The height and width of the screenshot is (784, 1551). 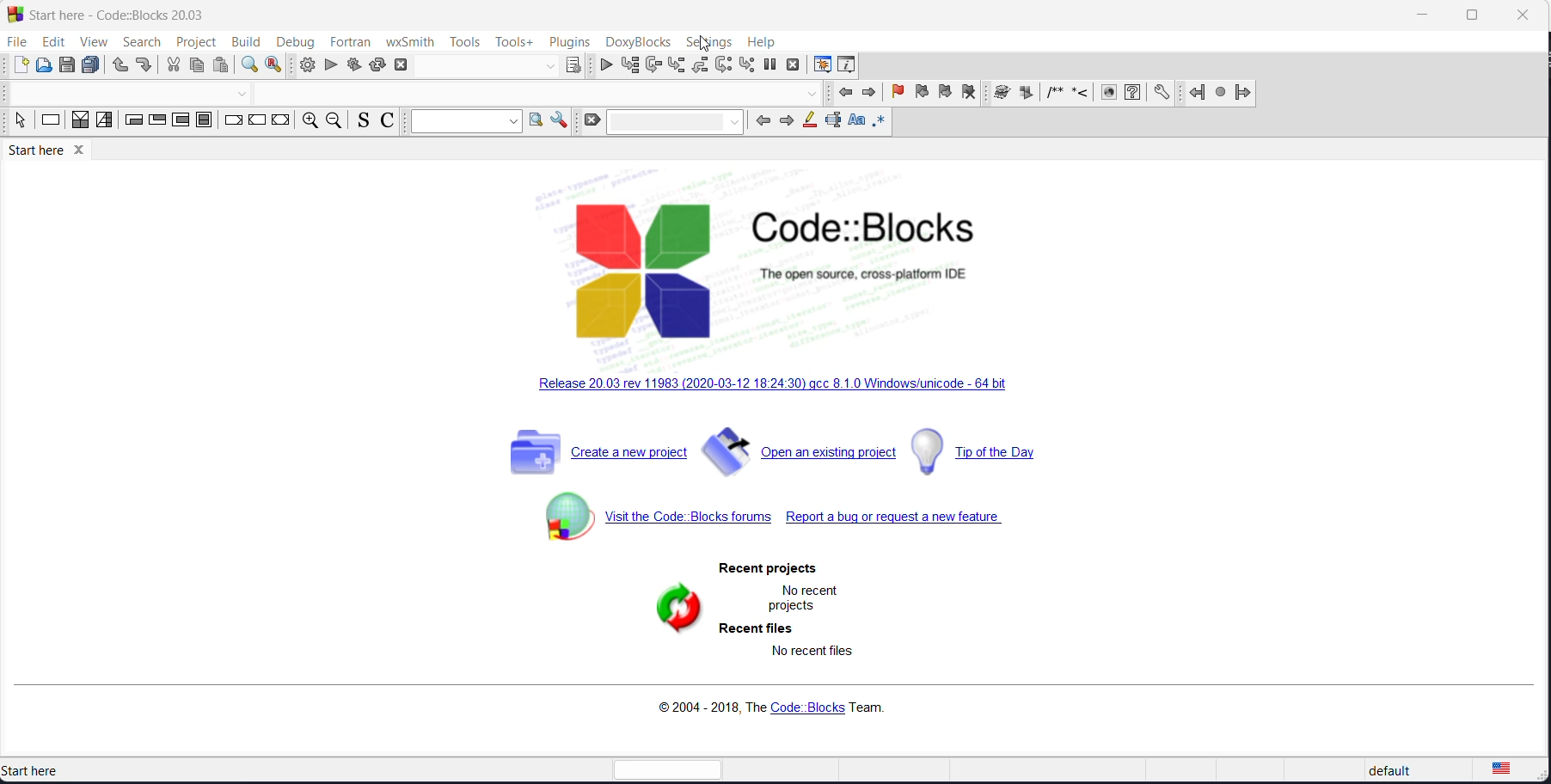 What do you see at coordinates (1385, 772) in the screenshot?
I see `default` at bounding box center [1385, 772].